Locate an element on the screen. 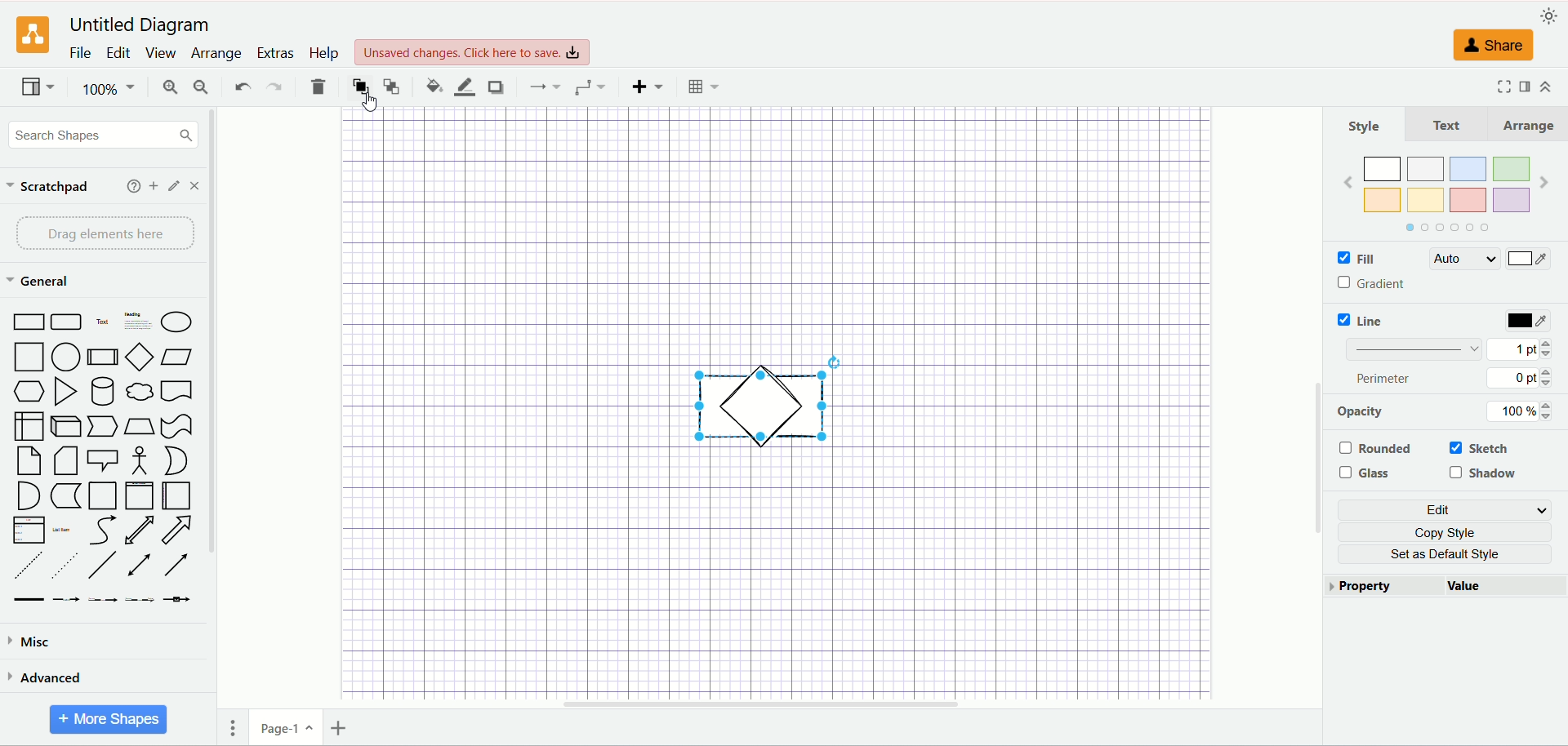 The width and height of the screenshot is (1568, 746). property is located at coordinates (1380, 588).